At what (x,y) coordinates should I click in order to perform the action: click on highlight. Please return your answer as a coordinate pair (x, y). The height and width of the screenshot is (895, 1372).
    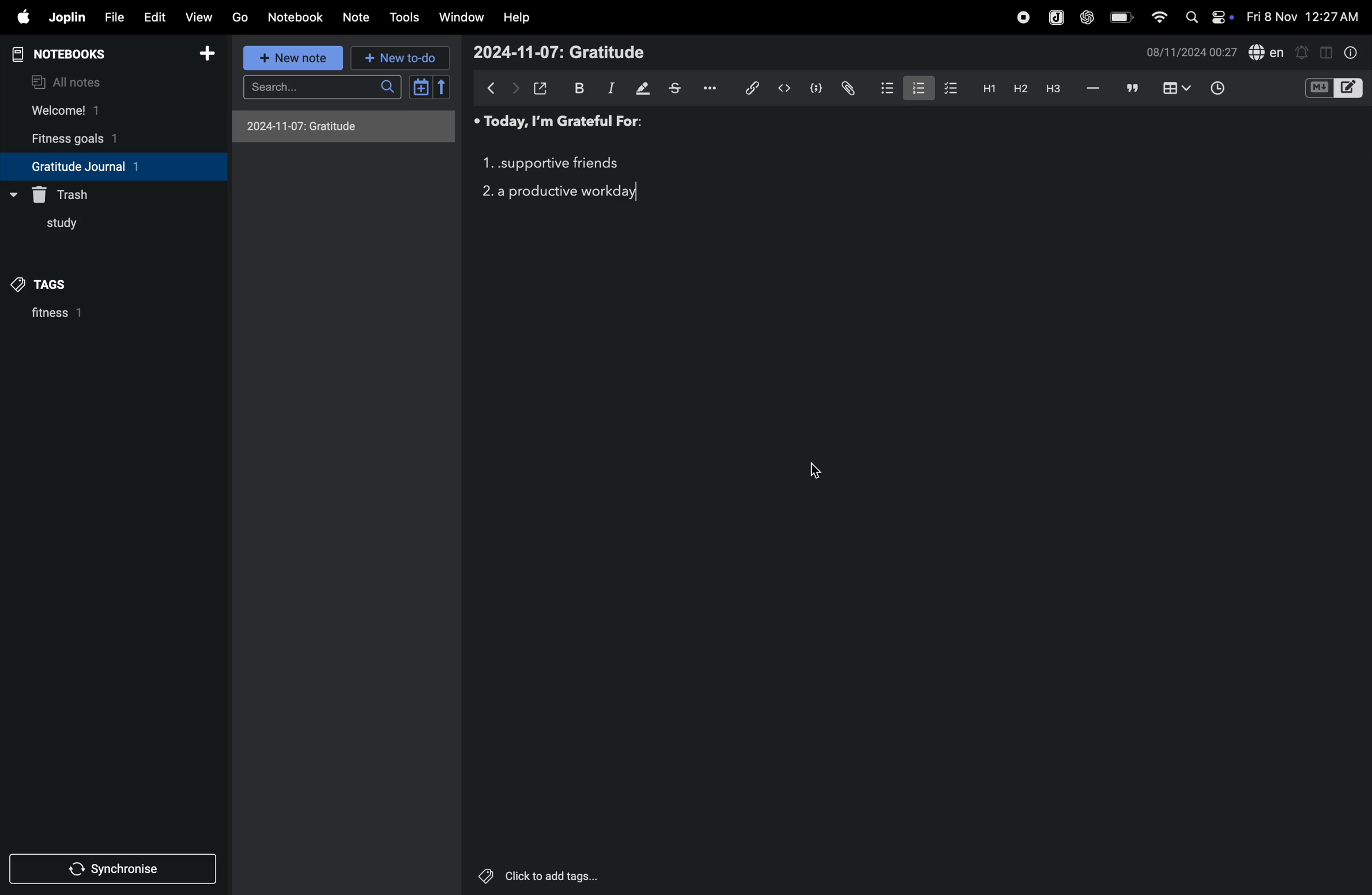
    Looking at the image, I should click on (643, 88).